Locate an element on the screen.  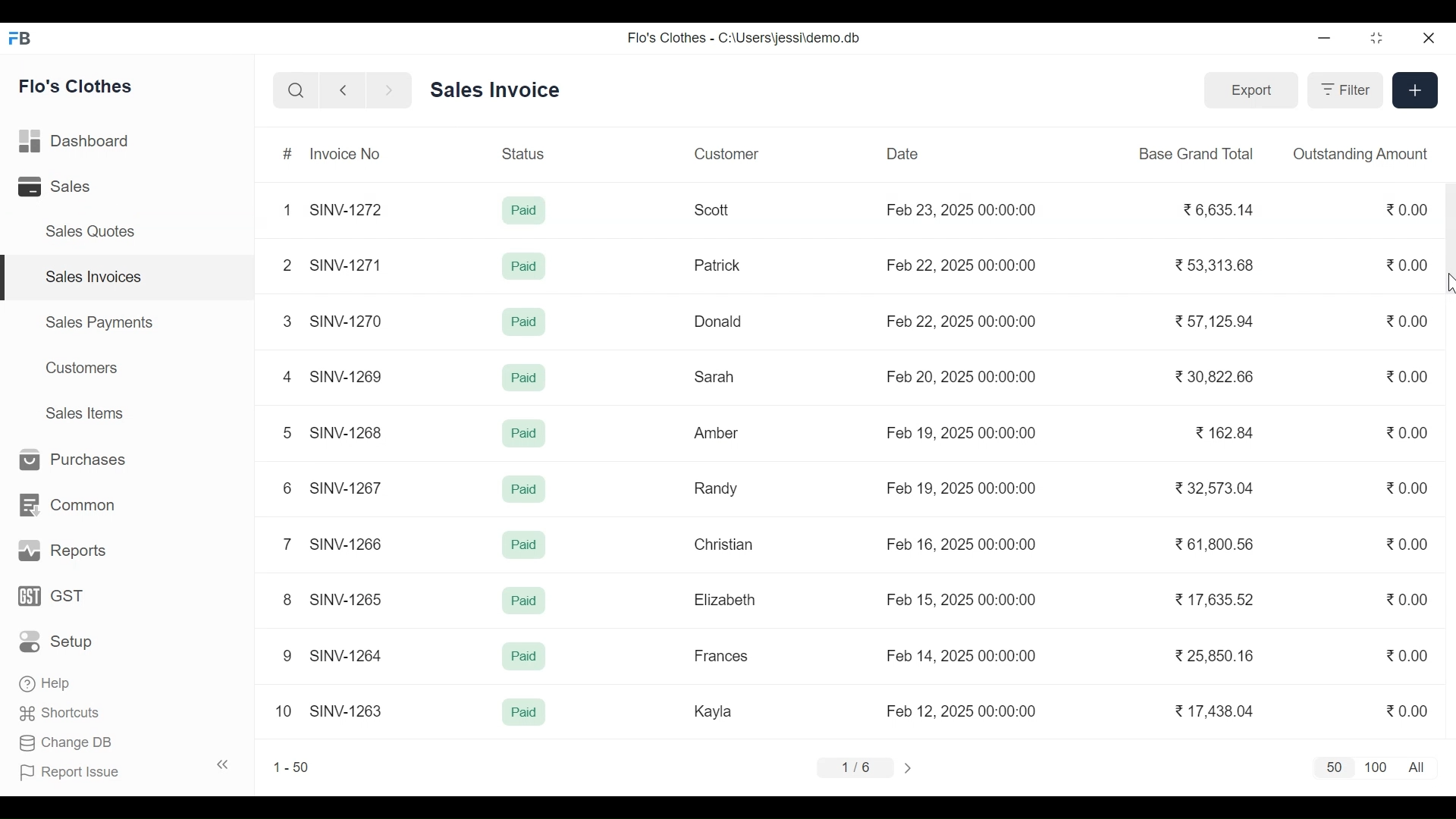
GST is located at coordinates (51, 597).